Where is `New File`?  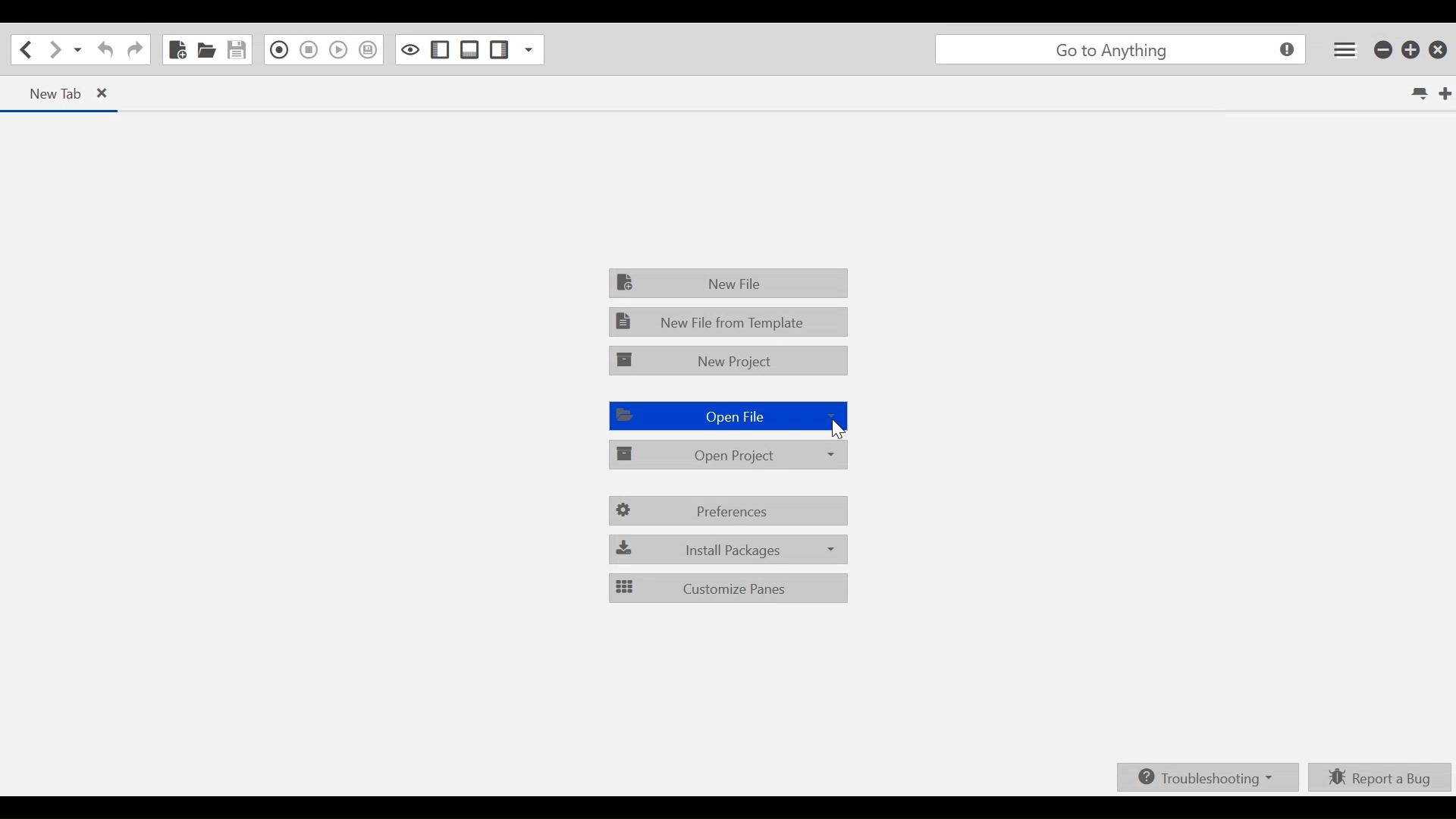
New File is located at coordinates (727, 282).